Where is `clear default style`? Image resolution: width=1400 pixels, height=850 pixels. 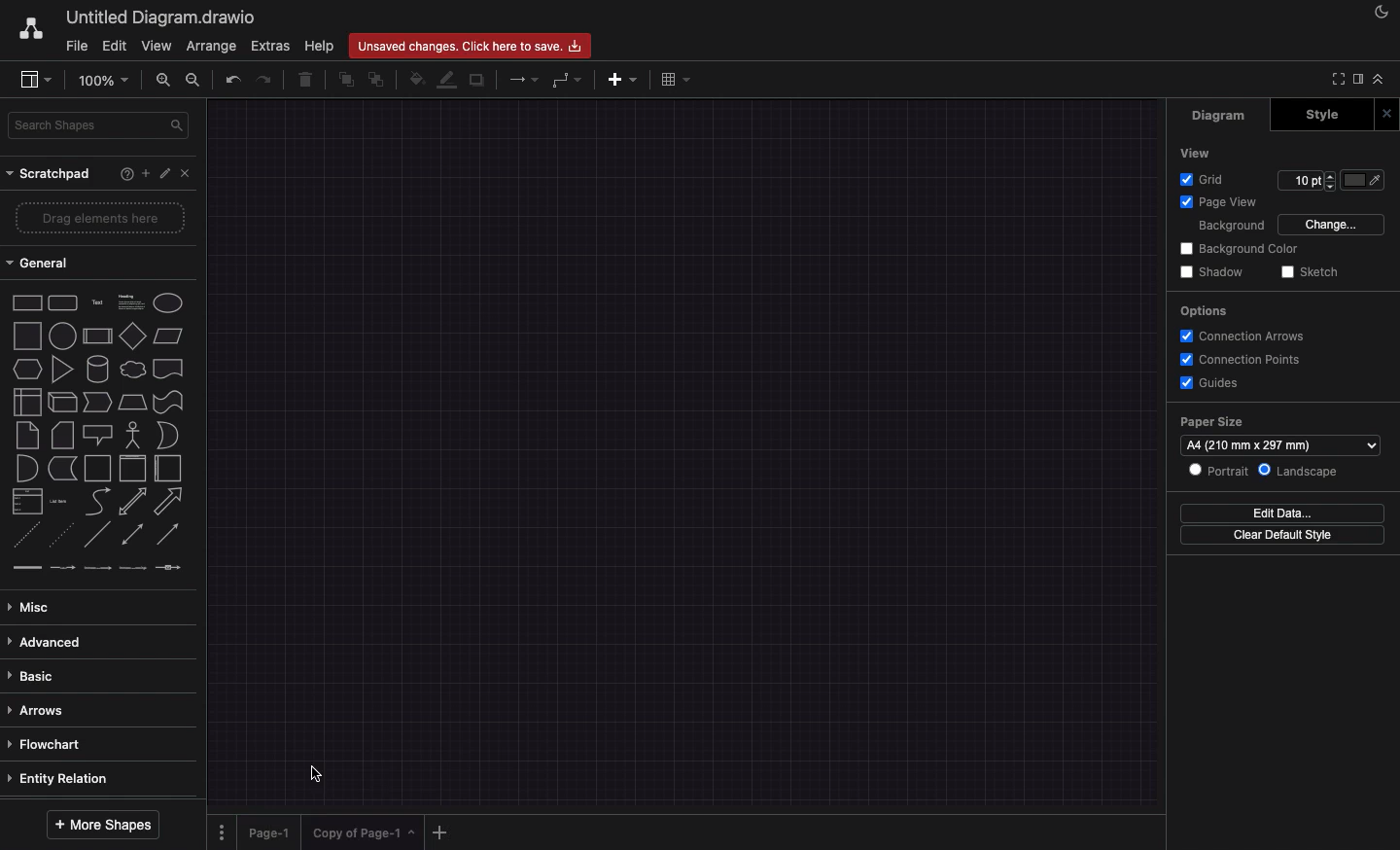
clear default style is located at coordinates (1282, 535).